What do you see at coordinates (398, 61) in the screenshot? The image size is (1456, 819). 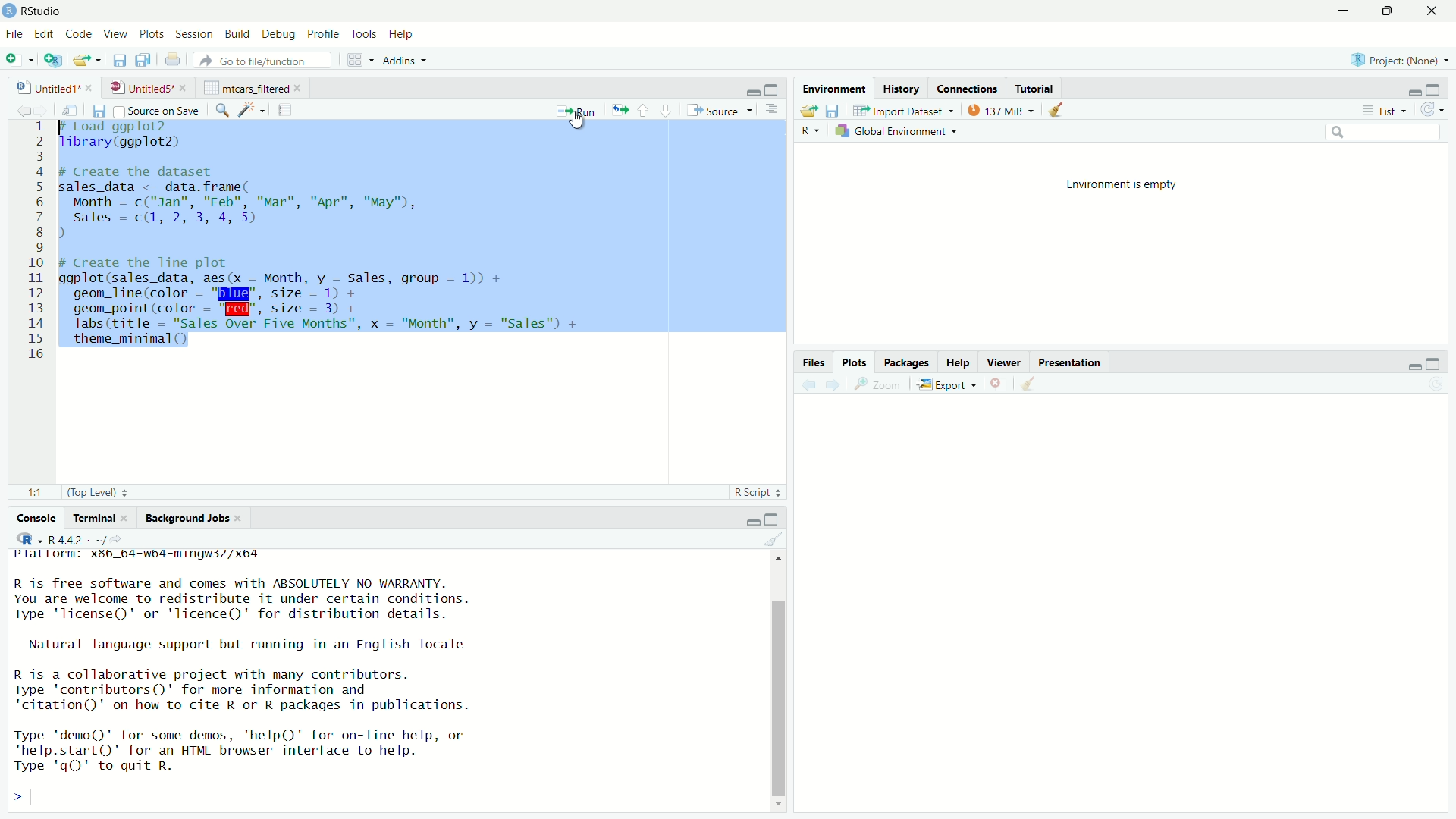 I see `Addins` at bounding box center [398, 61].